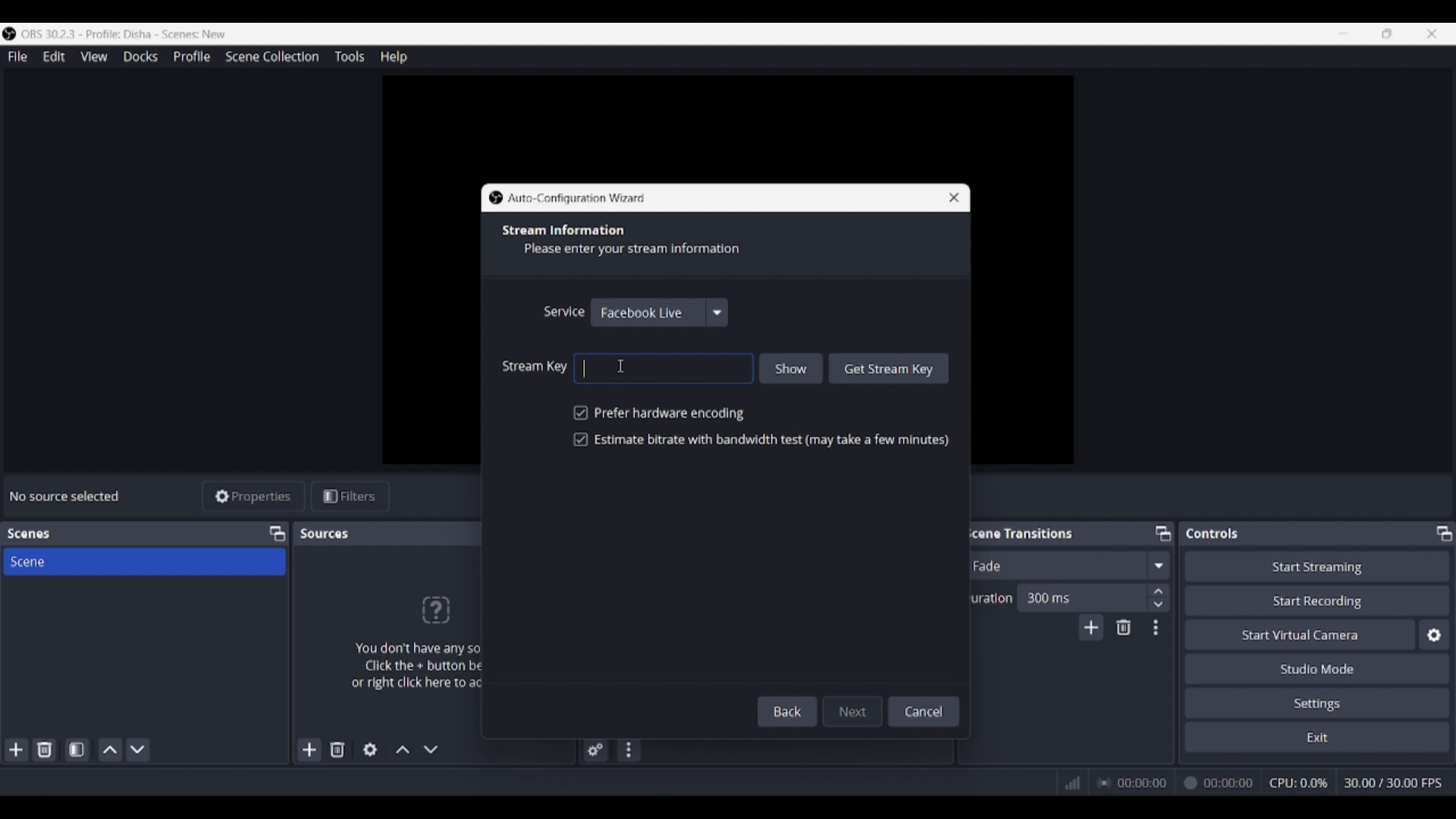 The height and width of the screenshot is (819, 1456). Describe the element at coordinates (1068, 783) in the screenshot. I see `Network` at that location.